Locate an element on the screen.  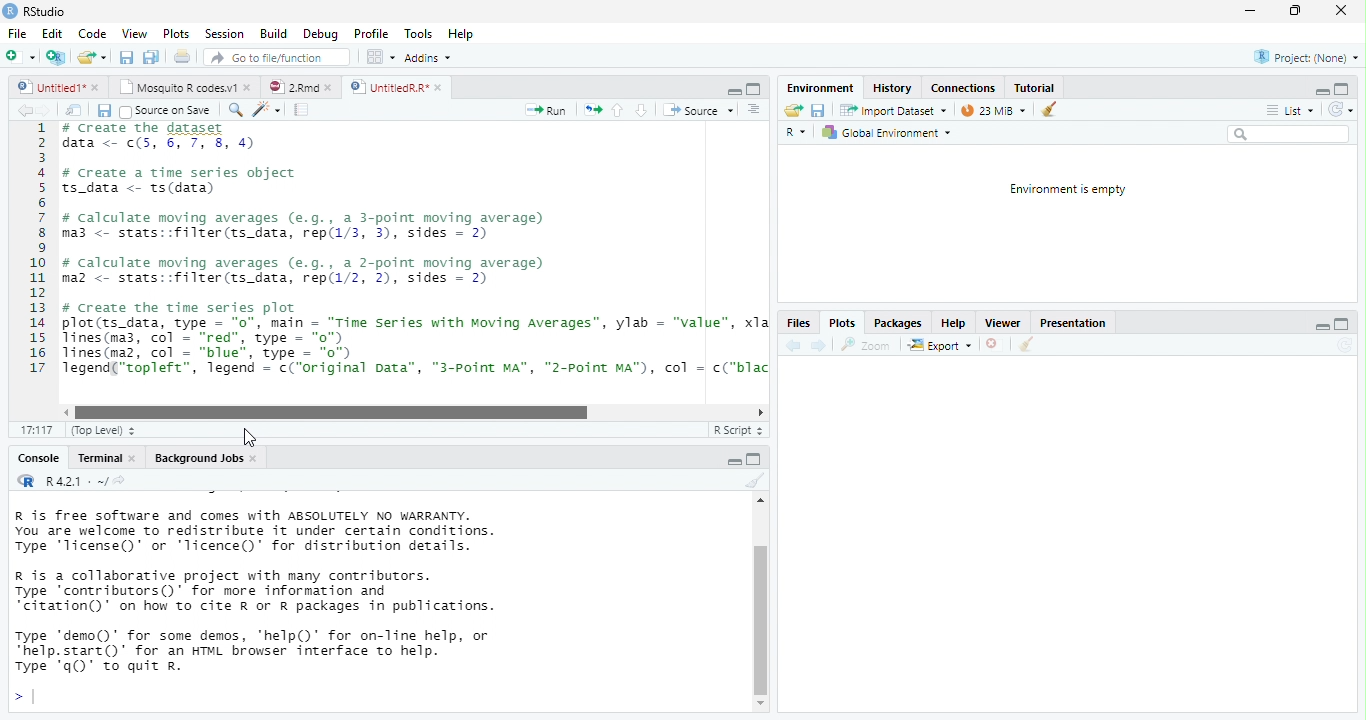
minimize is located at coordinates (1249, 12).